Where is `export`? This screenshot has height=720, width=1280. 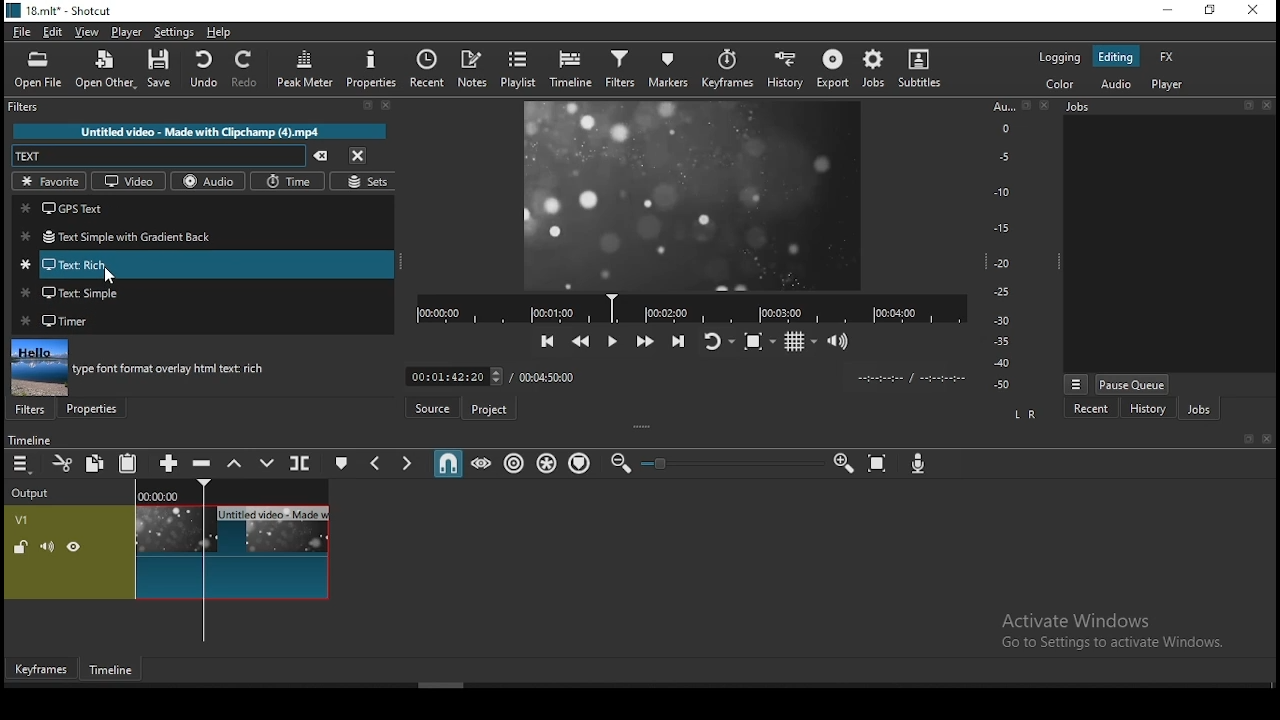 export is located at coordinates (831, 72).